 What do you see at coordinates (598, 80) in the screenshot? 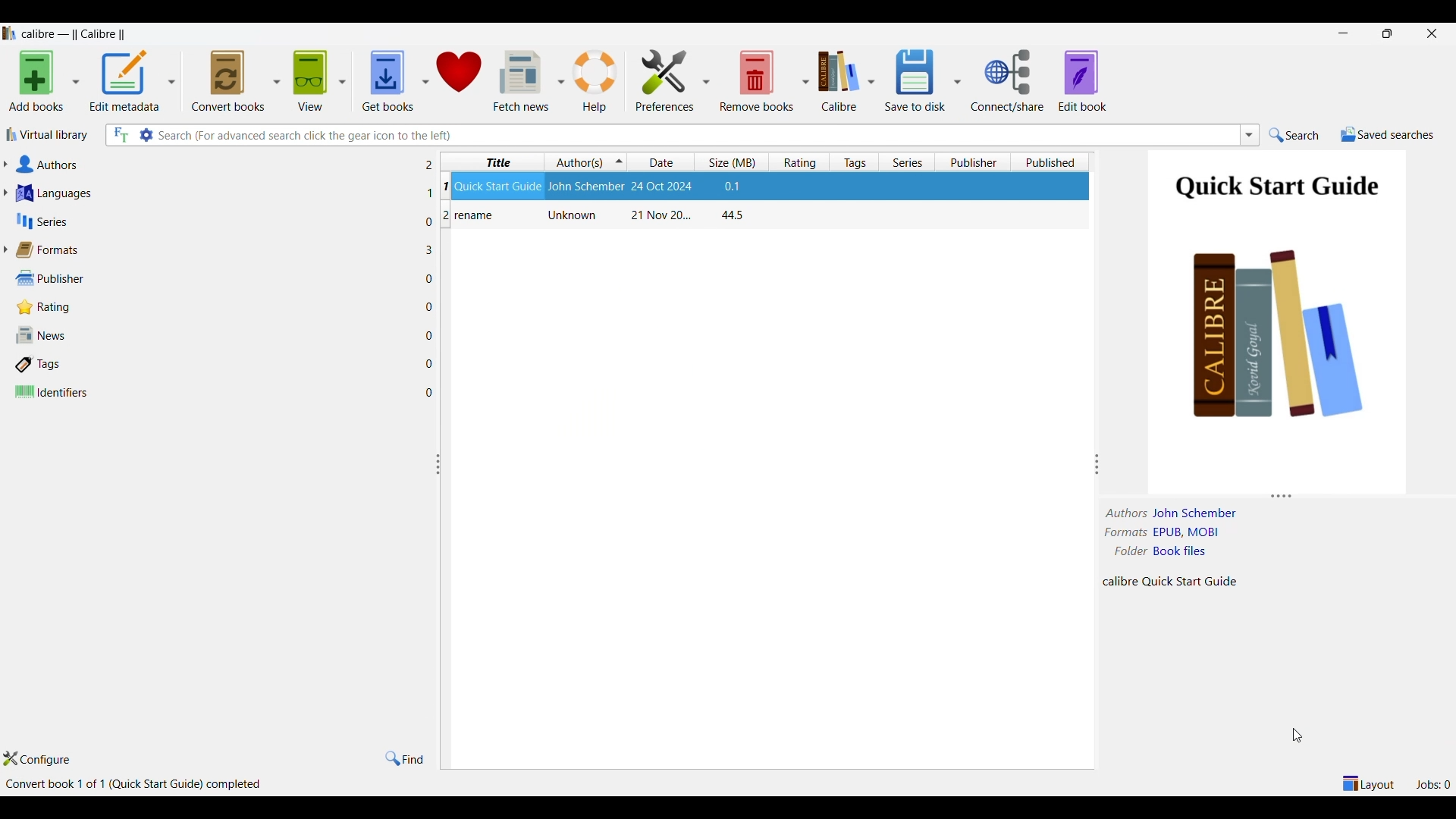
I see `Help` at bounding box center [598, 80].